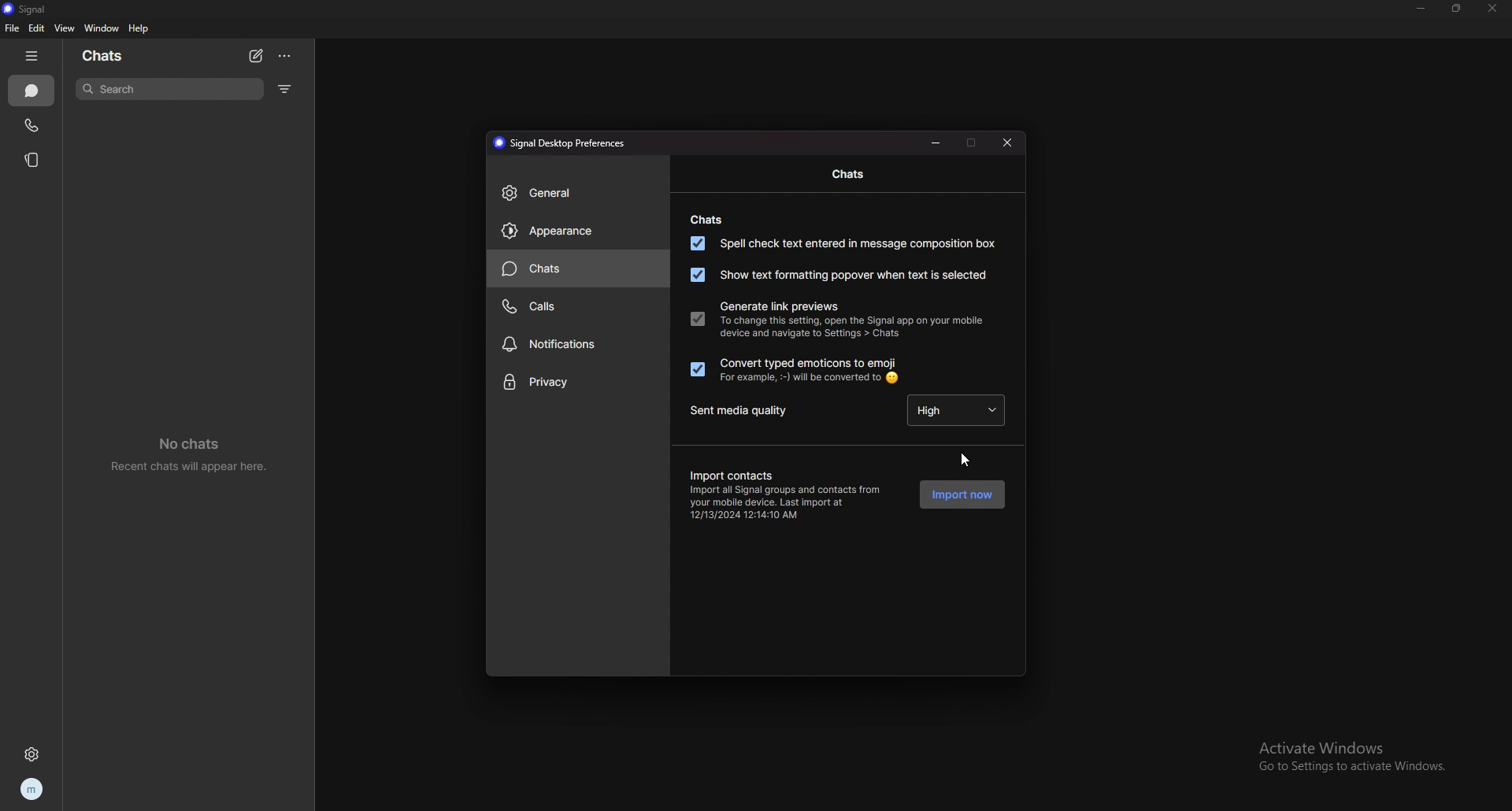 The height and width of the screenshot is (811, 1512). I want to click on calls, so click(32, 125).